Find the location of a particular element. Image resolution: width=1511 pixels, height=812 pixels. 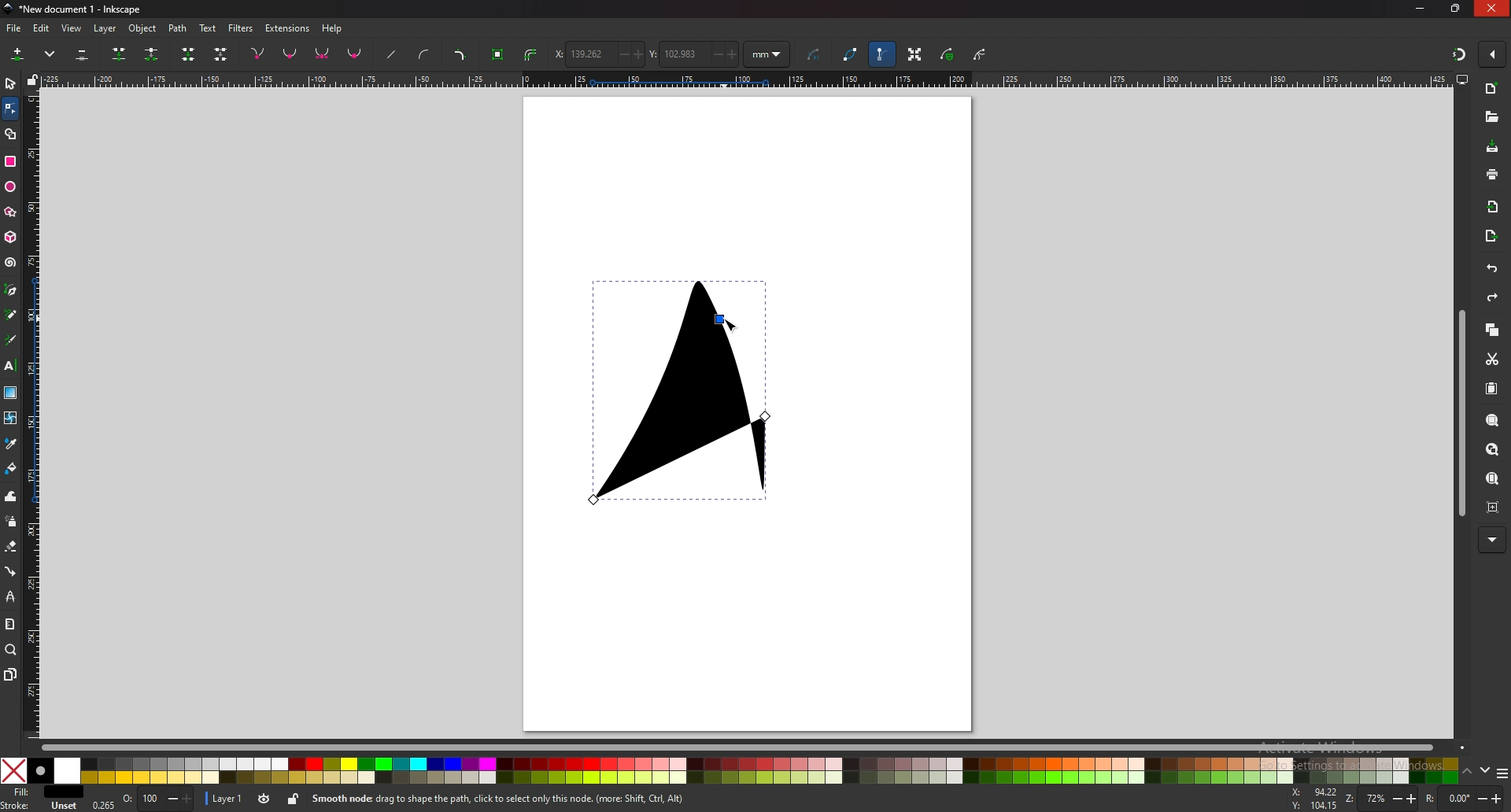

undo is located at coordinates (1492, 269).